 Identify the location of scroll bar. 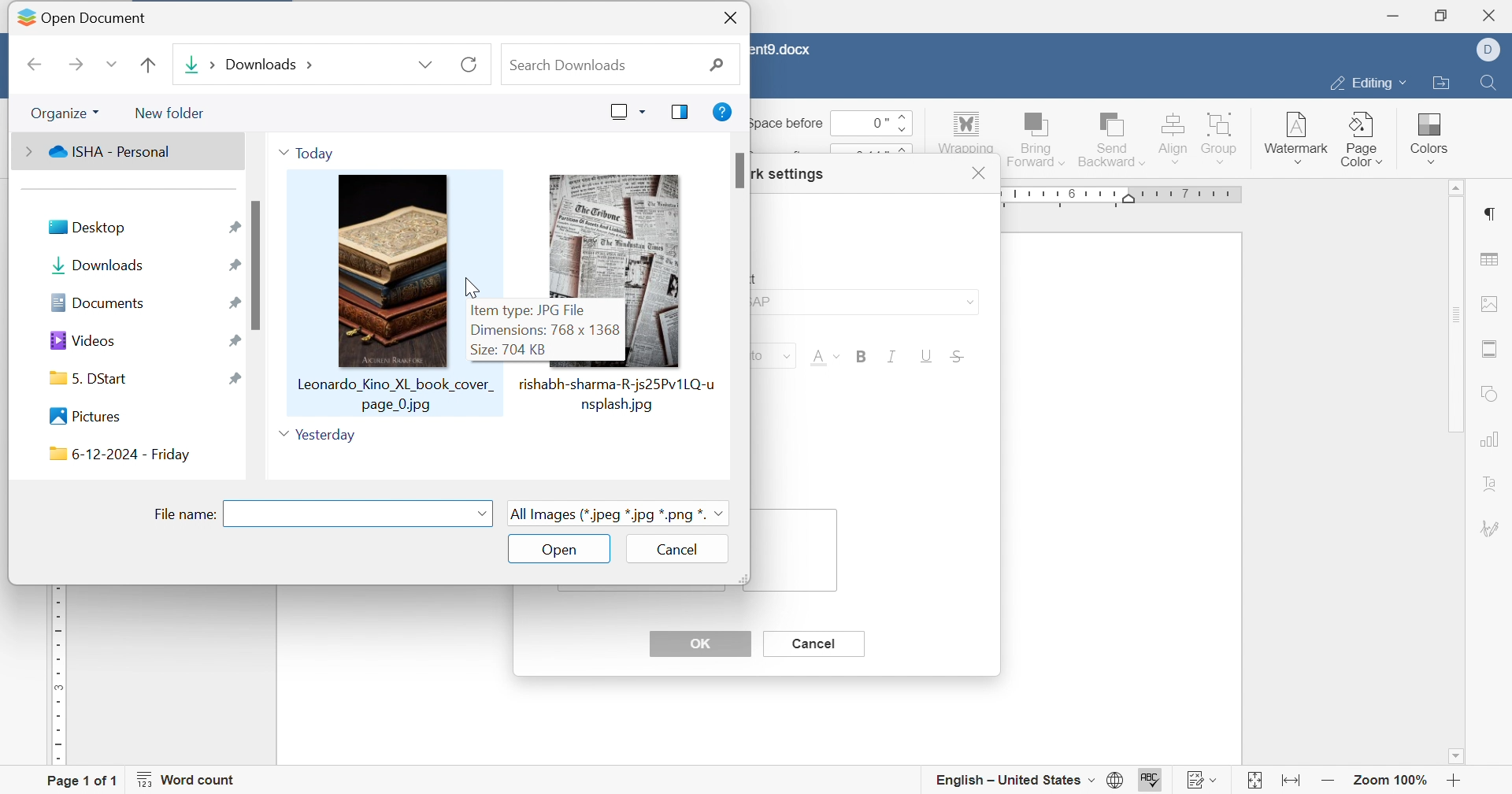
(258, 262).